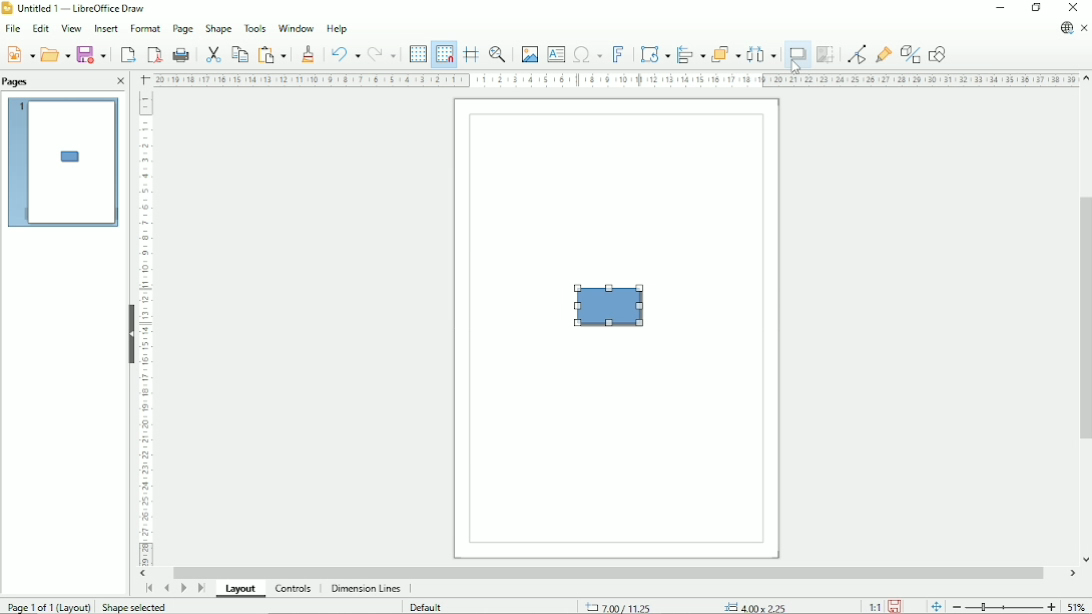 The height and width of the screenshot is (614, 1092). What do you see at coordinates (1000, 8) in the screenshot?
I see `Minimize` at bounding box center [1000, 8].